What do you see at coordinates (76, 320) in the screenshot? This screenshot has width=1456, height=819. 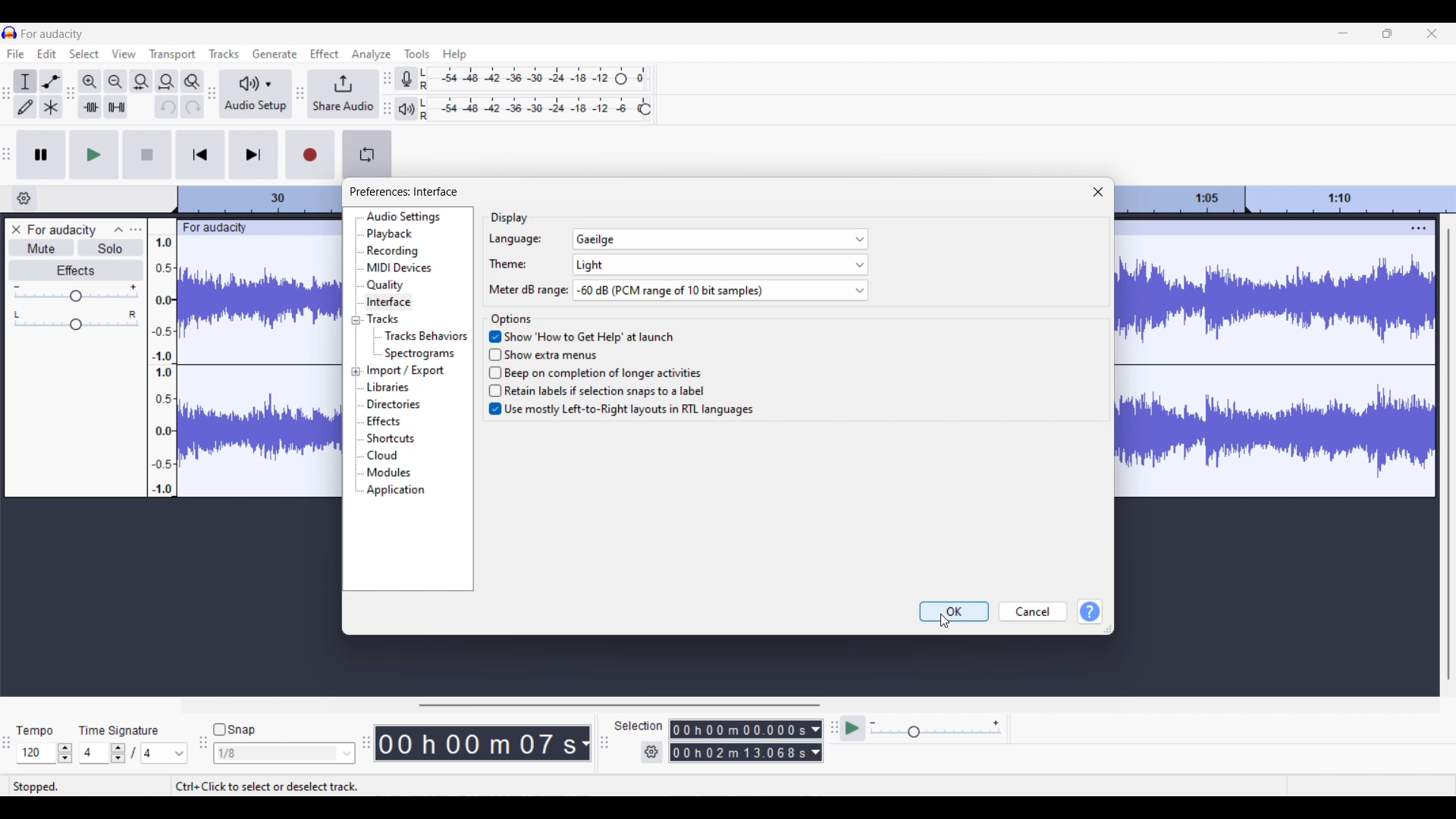 I see `Pan scale` at bounding box center [76, 320].